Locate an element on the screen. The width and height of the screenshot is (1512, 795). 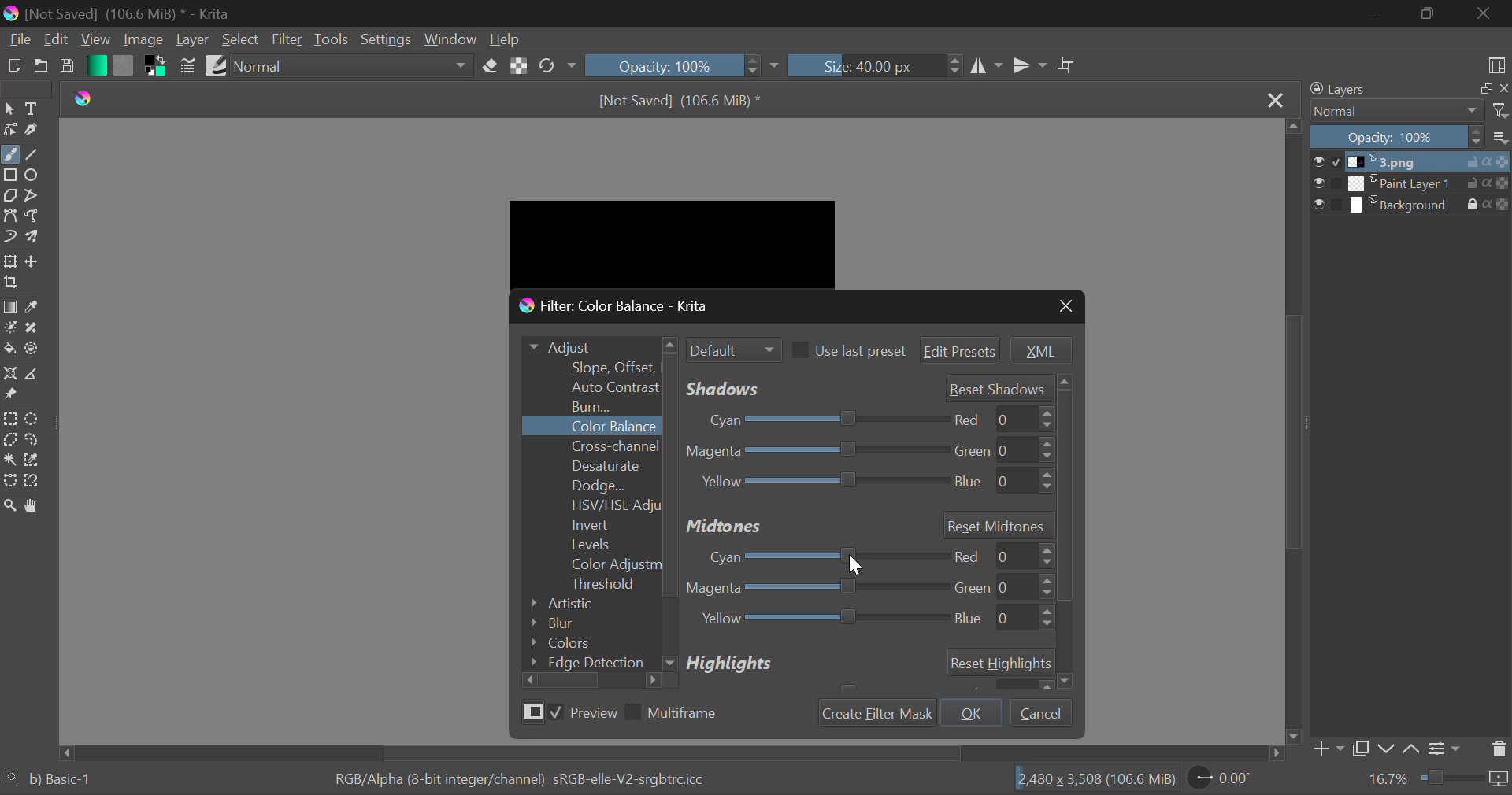
Freehand Path Tool is located at coordinates (36, 217).